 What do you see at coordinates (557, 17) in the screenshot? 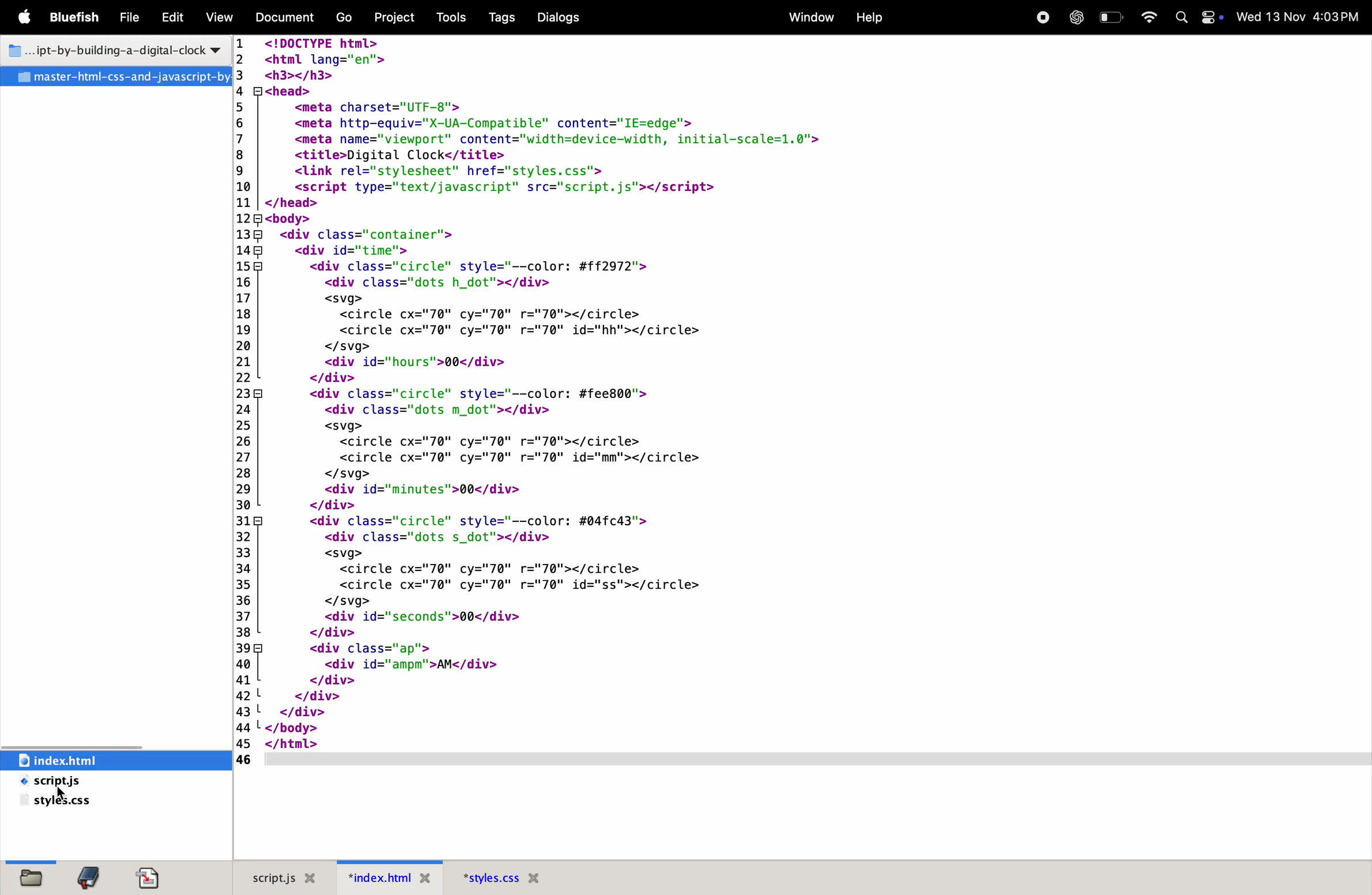
I see `dialogs` at bounding box center [557, 17].